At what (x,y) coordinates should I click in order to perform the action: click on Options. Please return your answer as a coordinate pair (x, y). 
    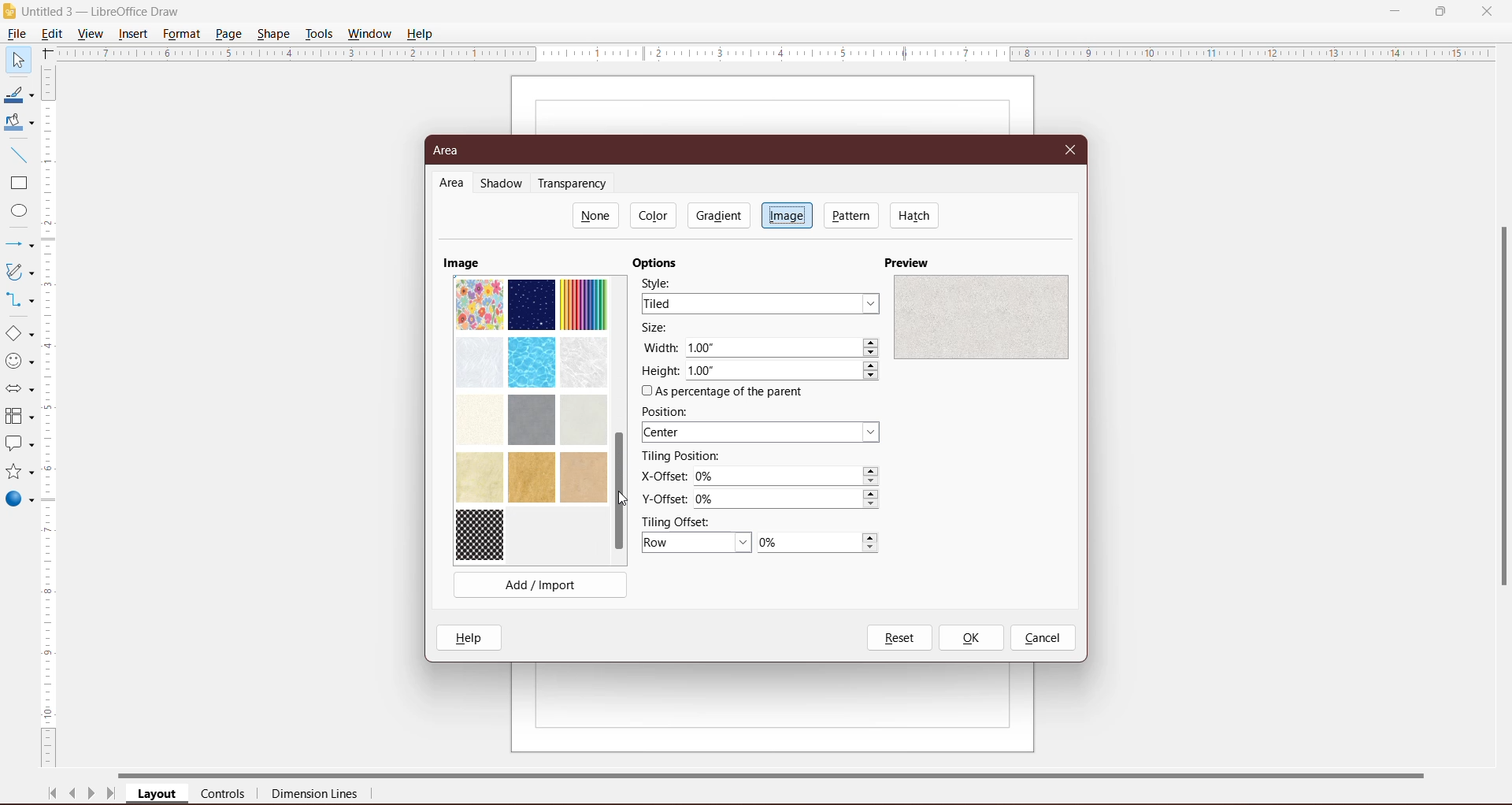
    Looking at the image, I should click on (659, 263).